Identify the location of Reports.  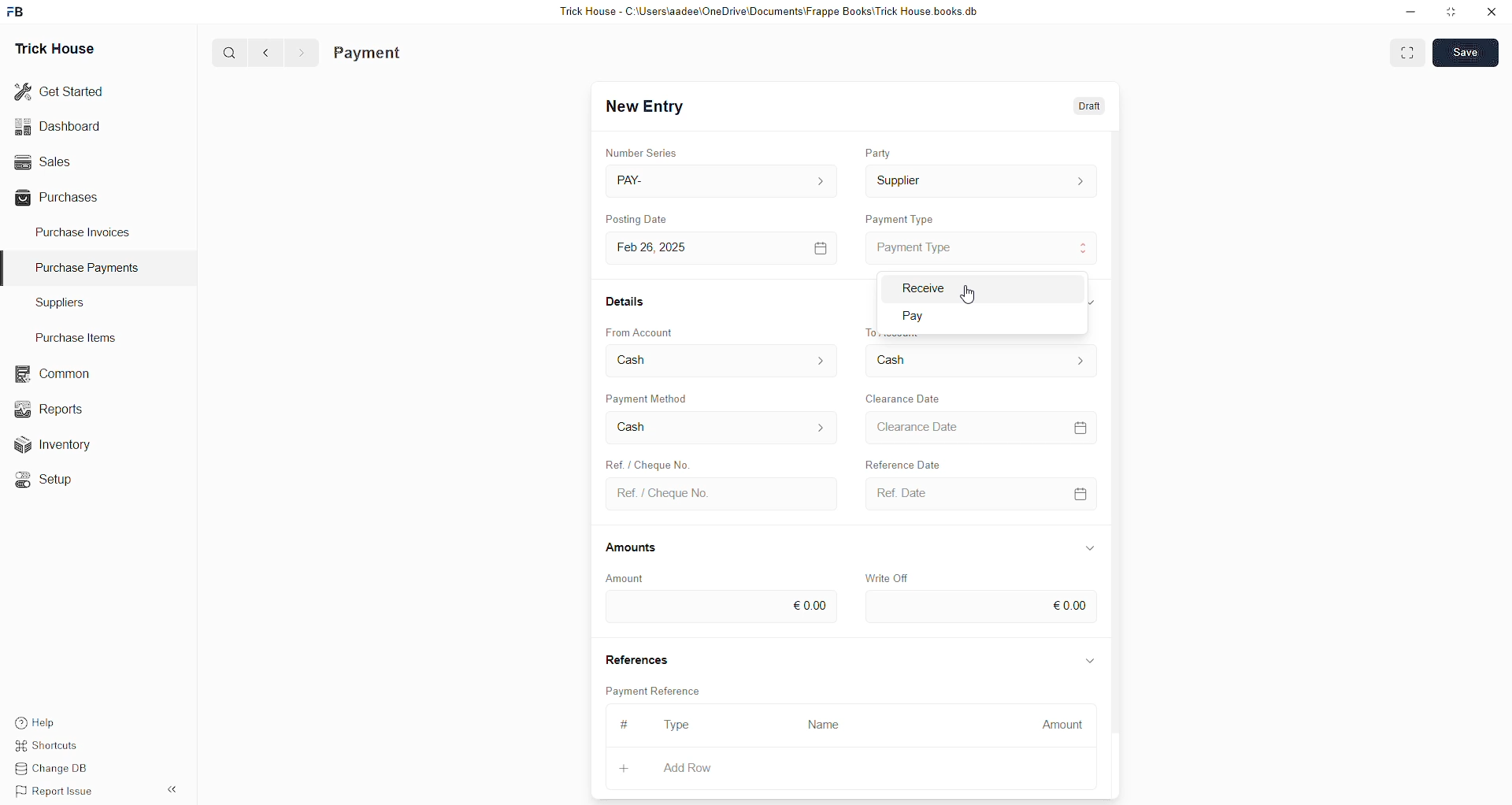
(50, 408).